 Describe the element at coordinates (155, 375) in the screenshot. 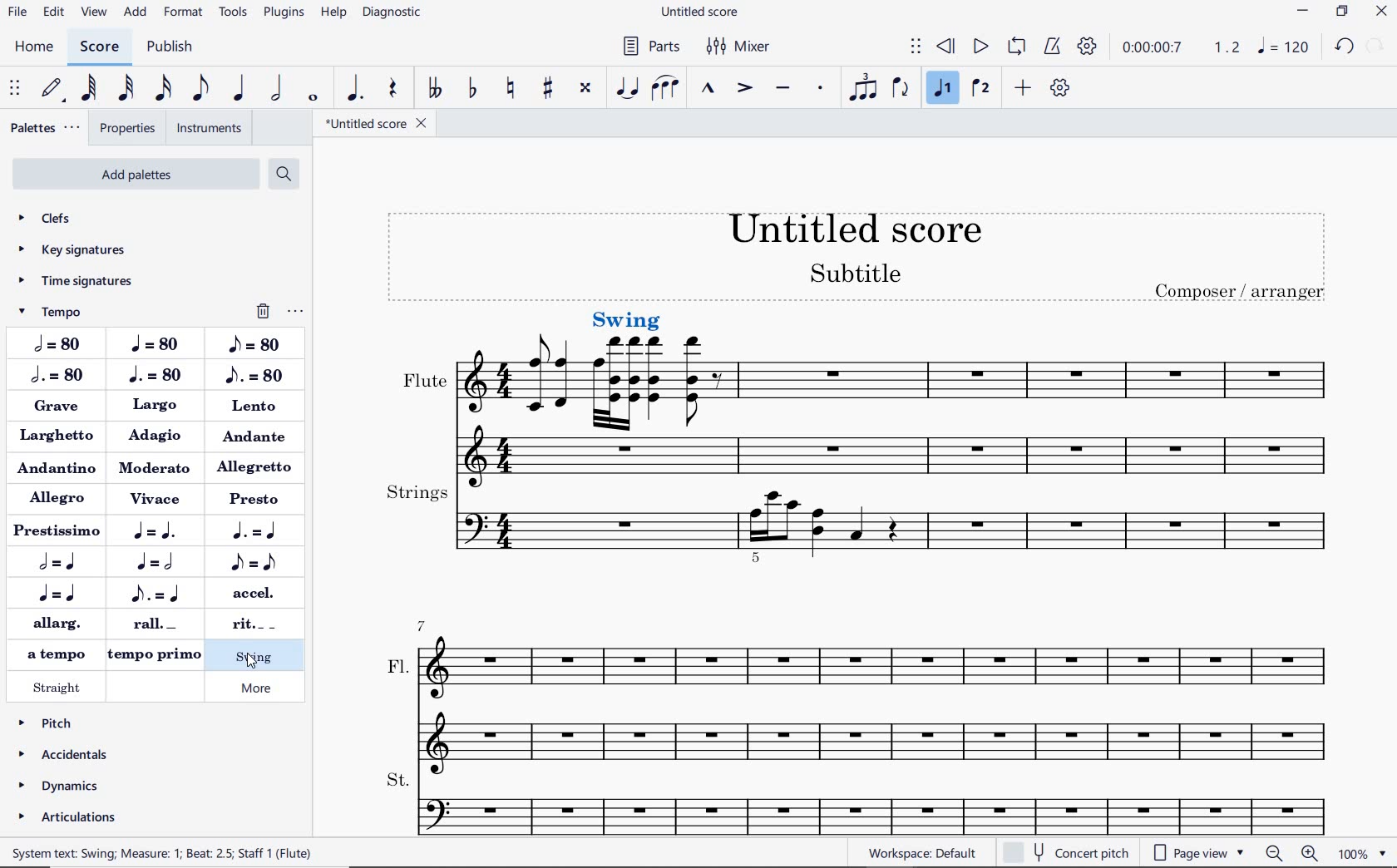

I see `DOTTED QUARTER NOTE` at that location.